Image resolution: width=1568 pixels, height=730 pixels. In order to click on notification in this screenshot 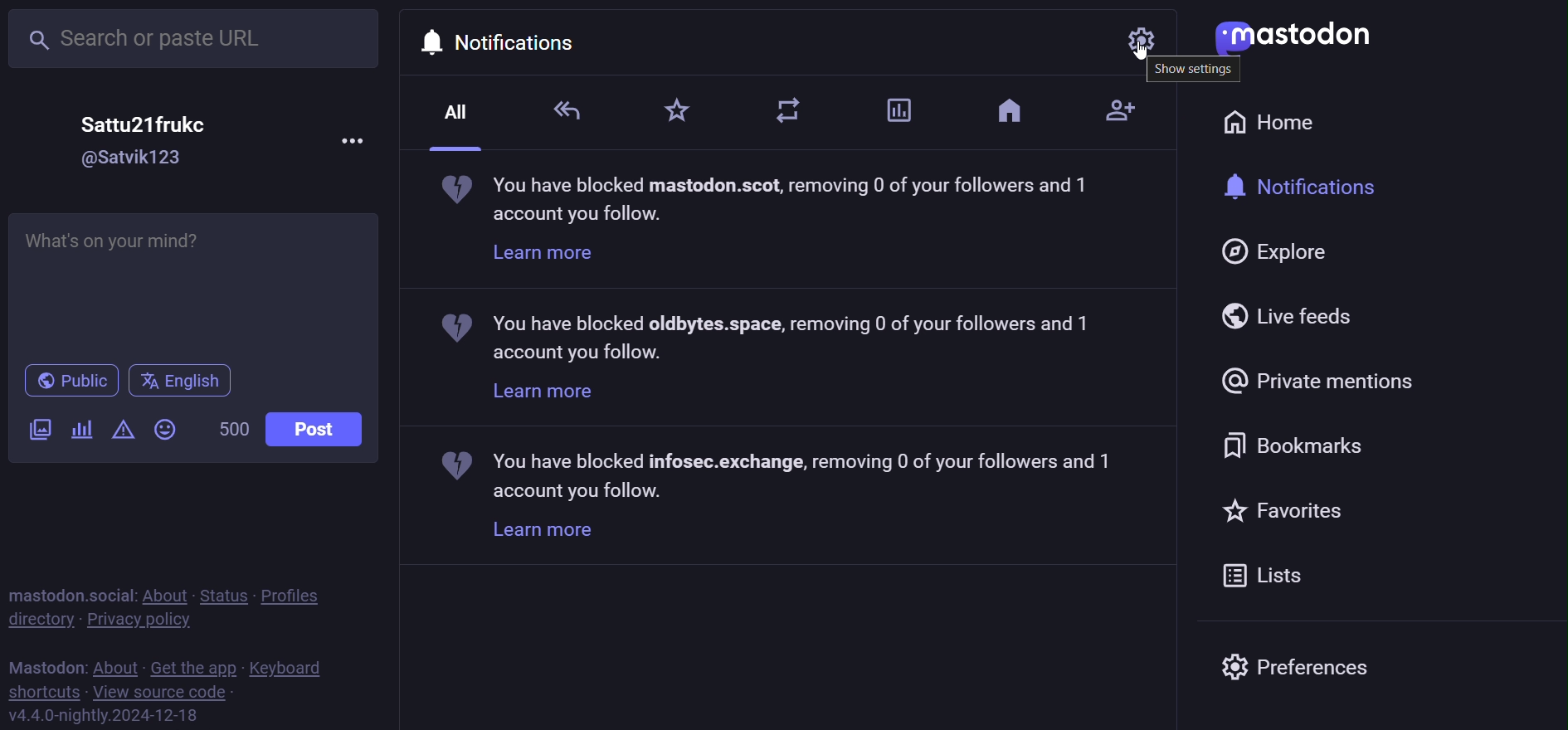, I will do `click(496, 38)`.